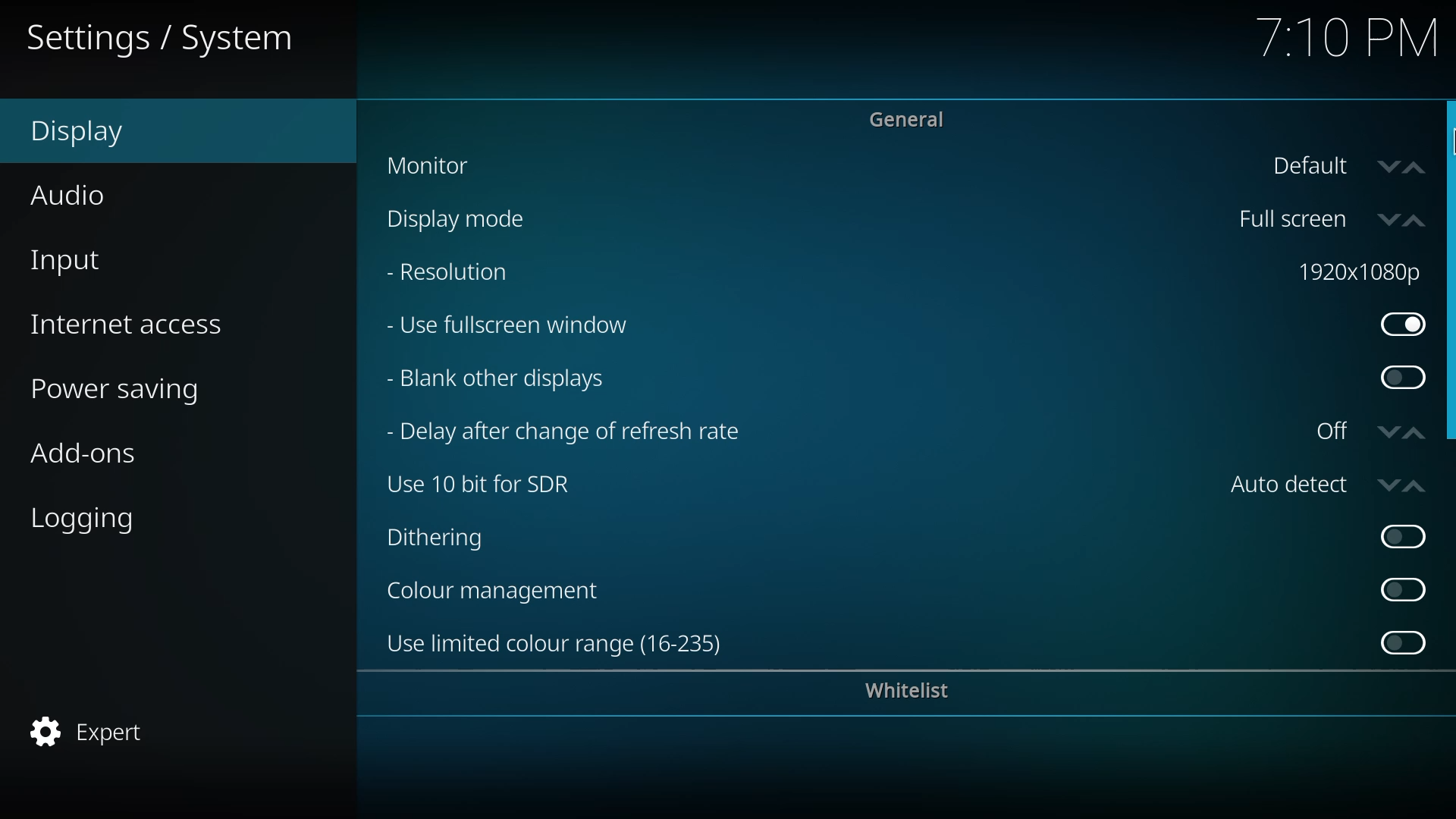 This screenshot has height=819, width=1456. I want to click on add-ons, so click(98, 456).